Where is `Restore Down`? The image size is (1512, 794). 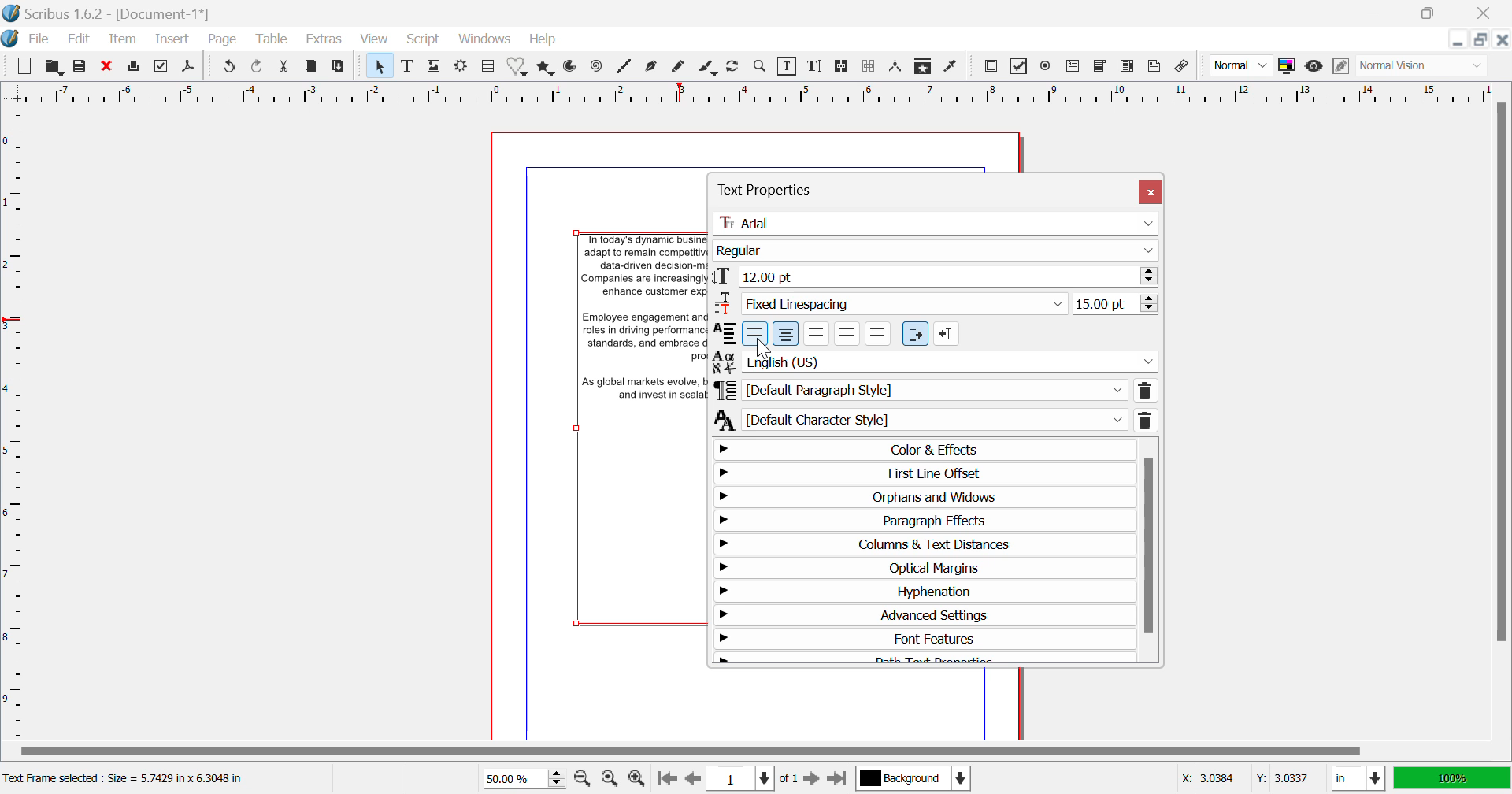 Restore Down is located at coordinates (1458, 39).